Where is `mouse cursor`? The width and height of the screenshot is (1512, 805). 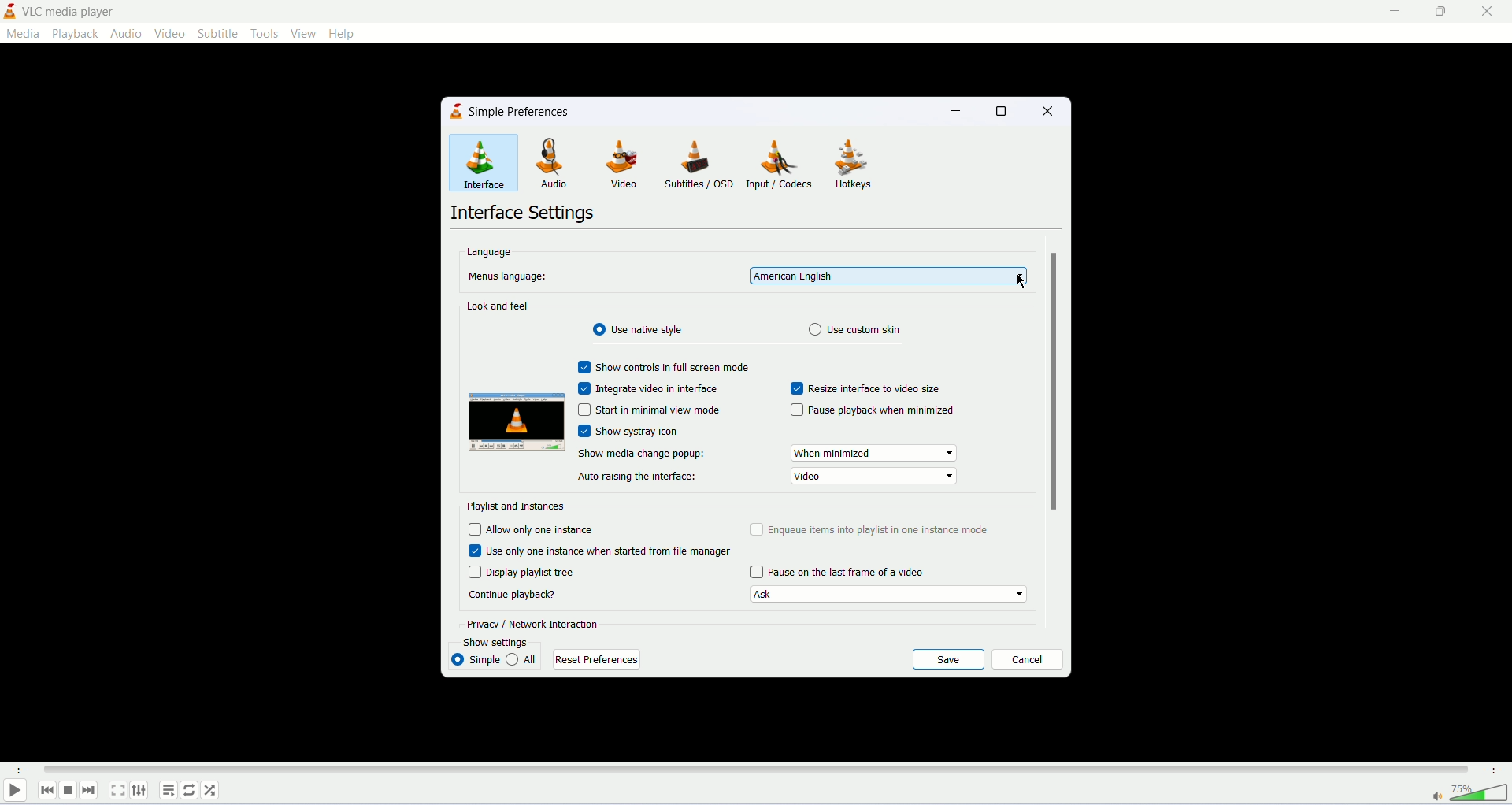
mouse cursor is located at coordinates (1021, 282).